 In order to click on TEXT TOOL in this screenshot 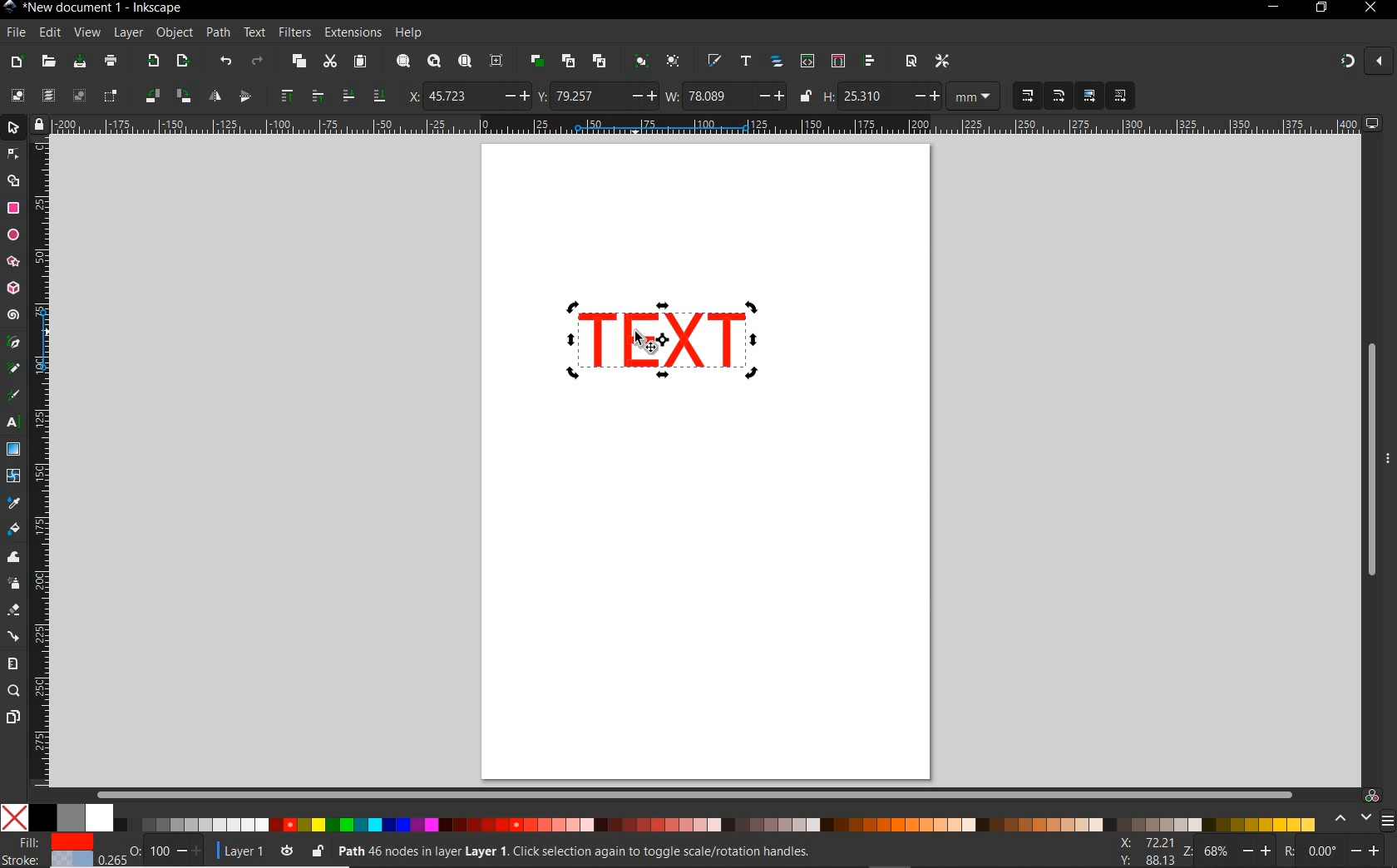, I will do `click(15, 422)`.